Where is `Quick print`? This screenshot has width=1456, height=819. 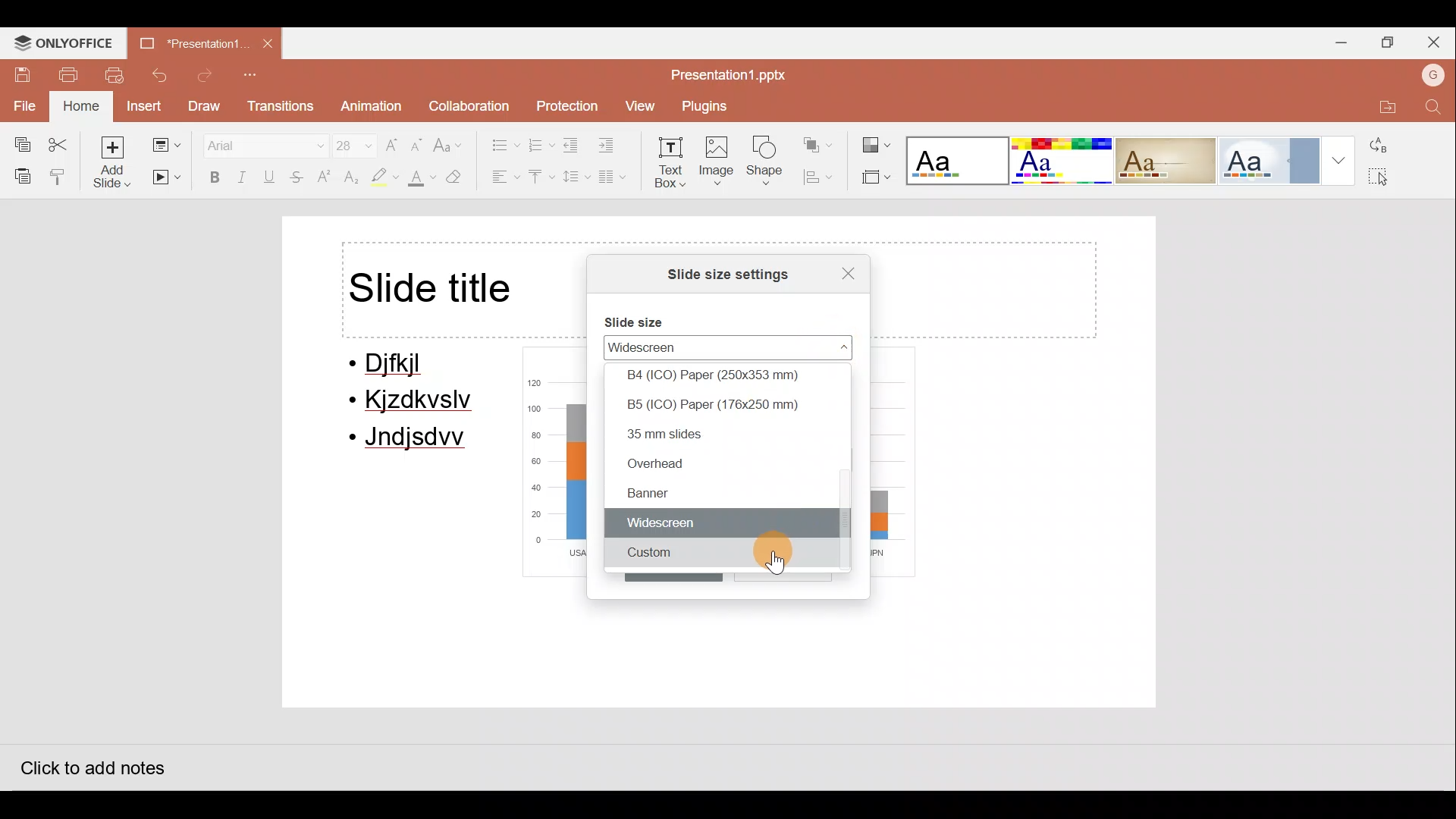
Quick print is located at coordinates (118, 76).